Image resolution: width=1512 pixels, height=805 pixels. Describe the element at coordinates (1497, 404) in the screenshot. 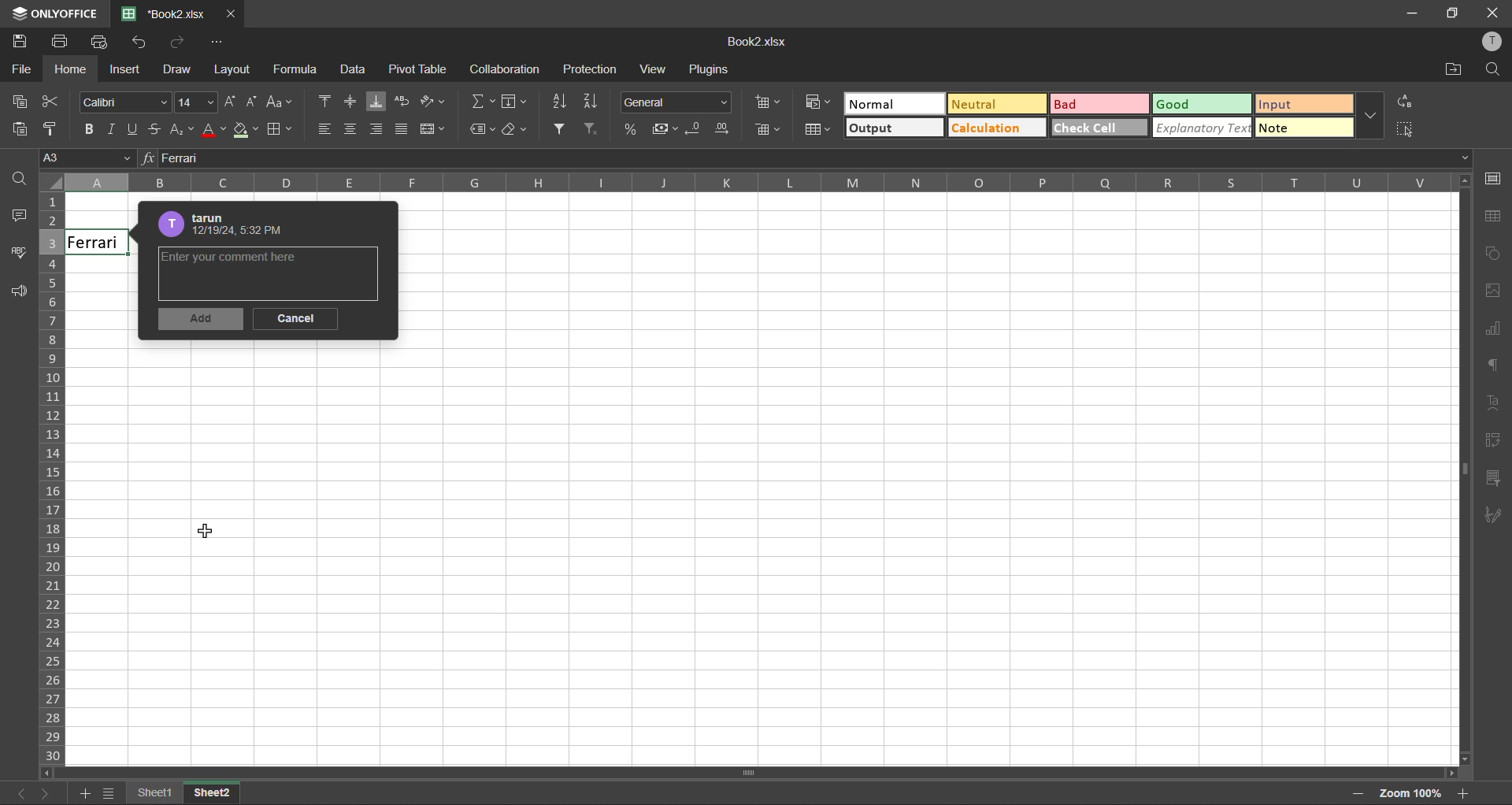

I see `text` at that location.